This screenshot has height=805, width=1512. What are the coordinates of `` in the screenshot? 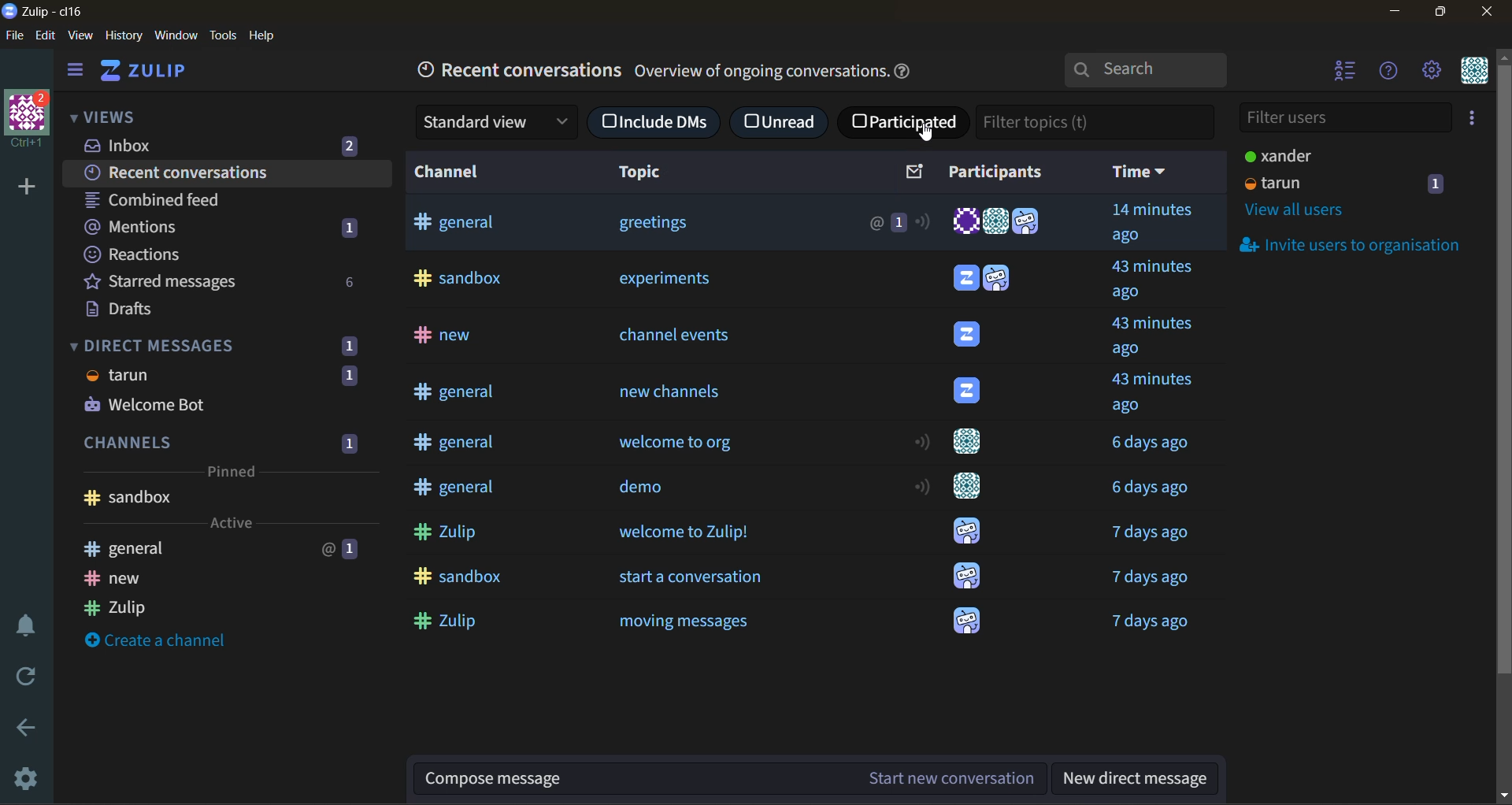 It's located at (759, 72).